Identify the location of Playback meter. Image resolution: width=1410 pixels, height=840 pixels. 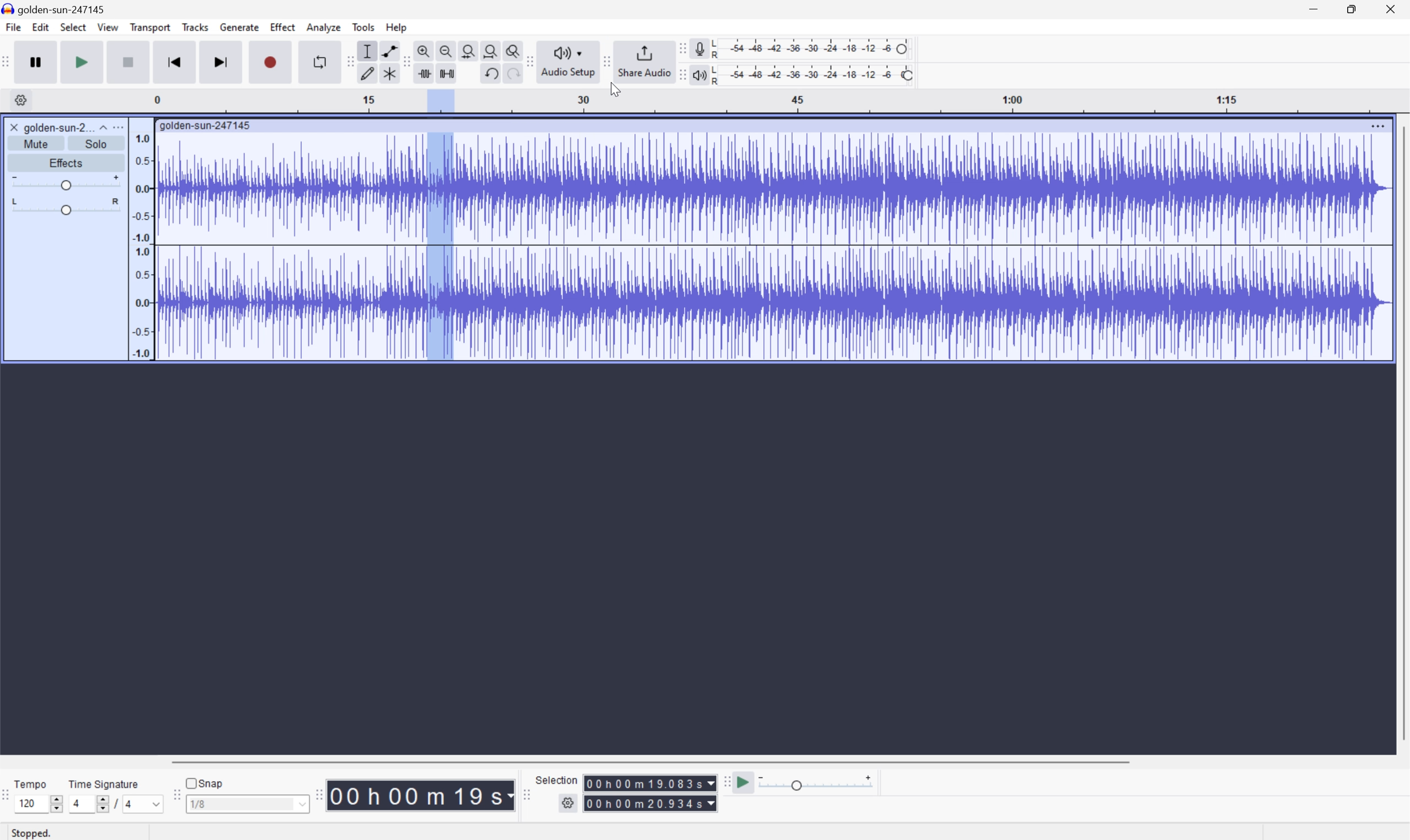
(697, 76).